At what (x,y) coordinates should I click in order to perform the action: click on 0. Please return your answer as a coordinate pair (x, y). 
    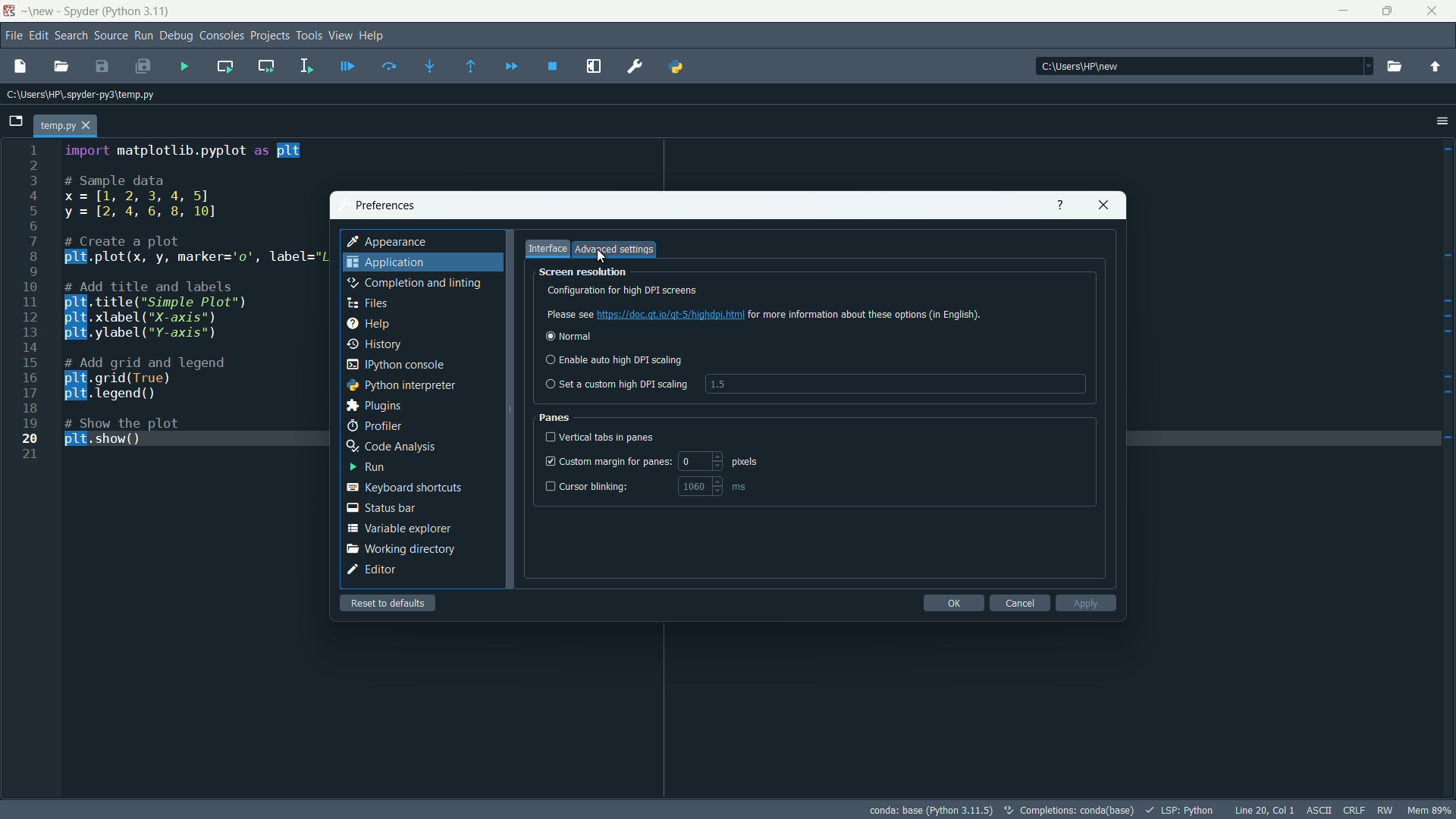
    Looking at the image, I should click on (700, 460).